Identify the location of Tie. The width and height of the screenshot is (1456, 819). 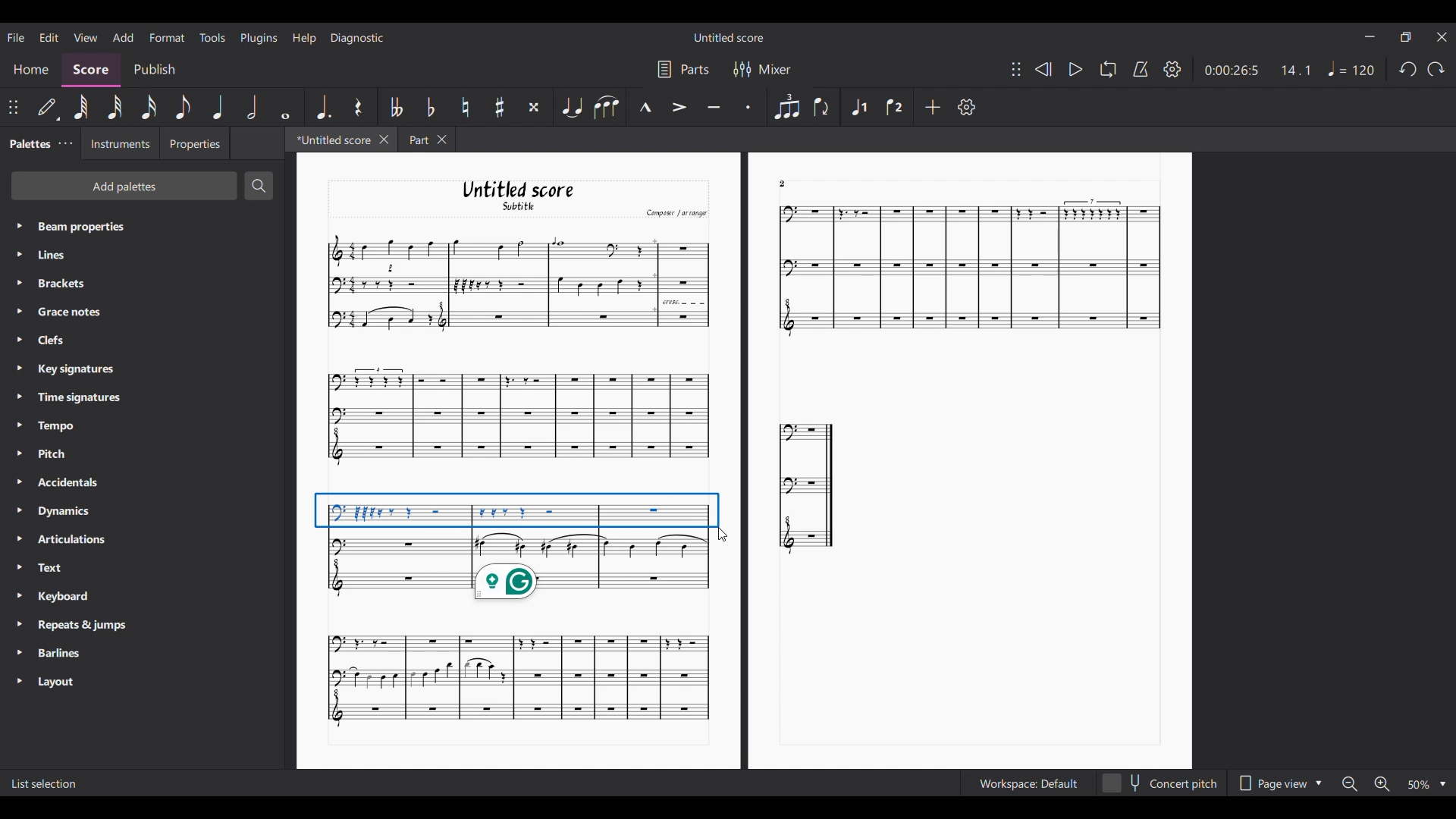
(572, 106).